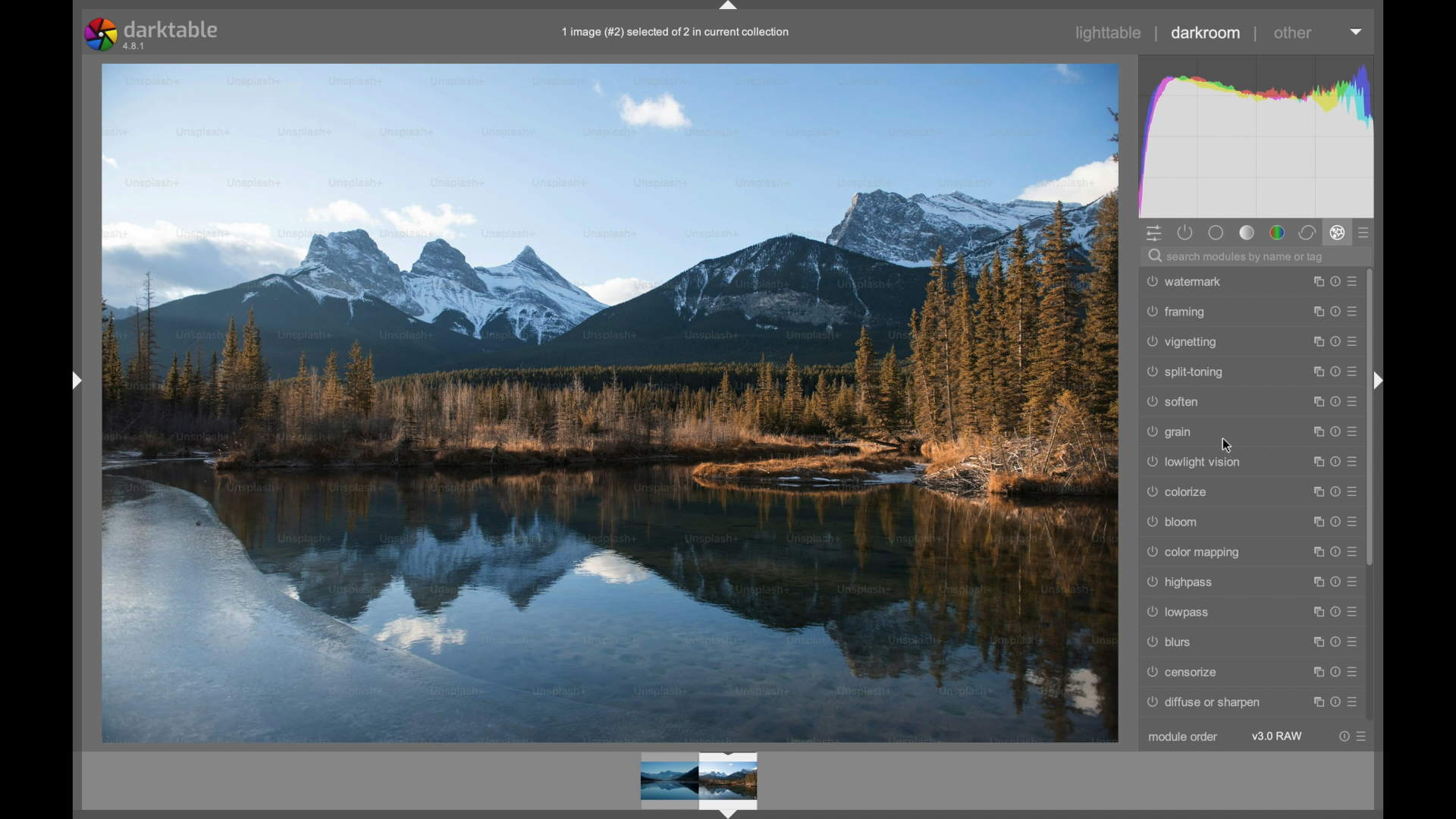  I want to click on highpass, so click(1180, 583).